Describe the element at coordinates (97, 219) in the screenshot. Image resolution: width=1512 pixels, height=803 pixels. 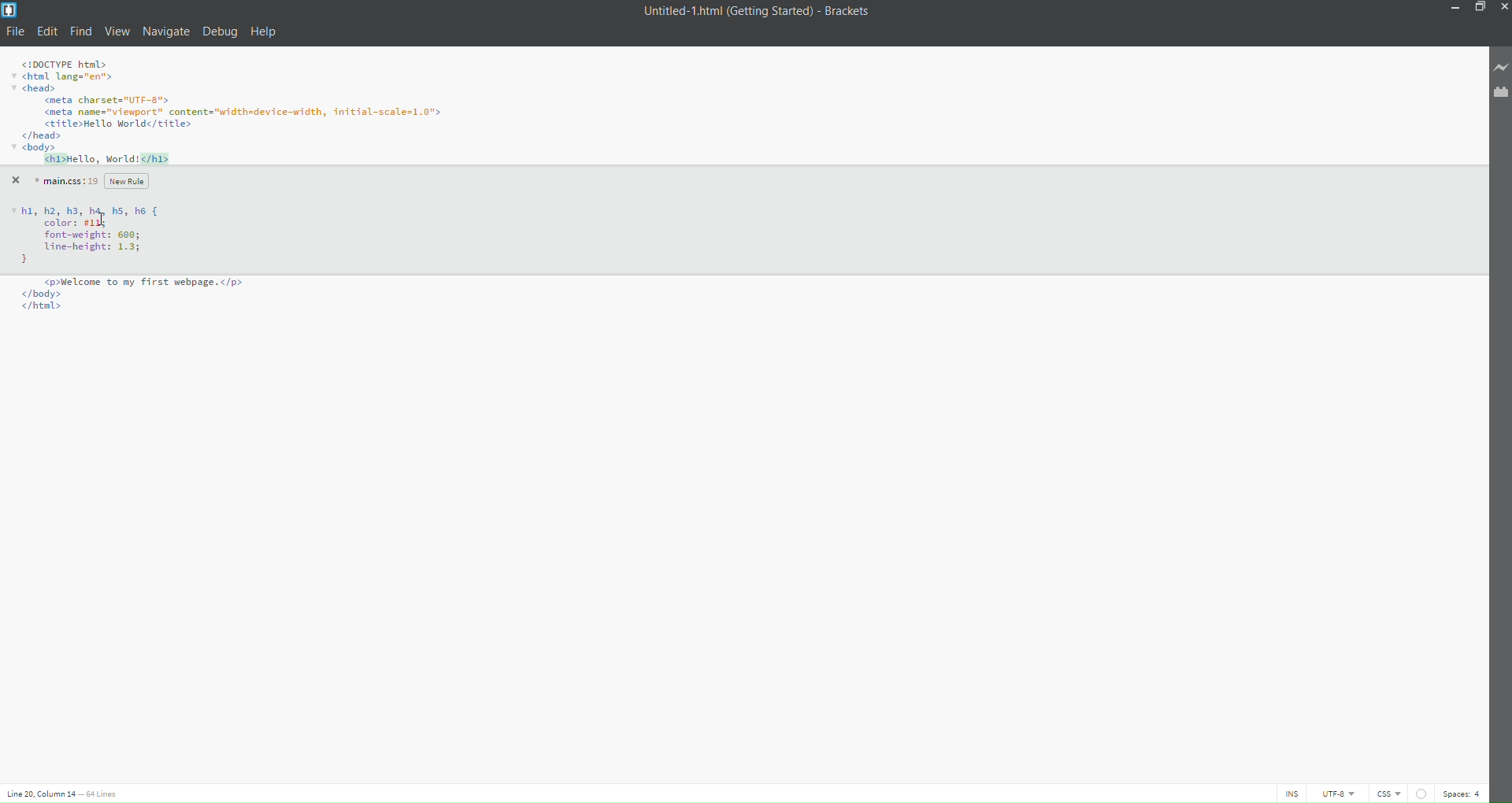
I see `changing color code` at that location.